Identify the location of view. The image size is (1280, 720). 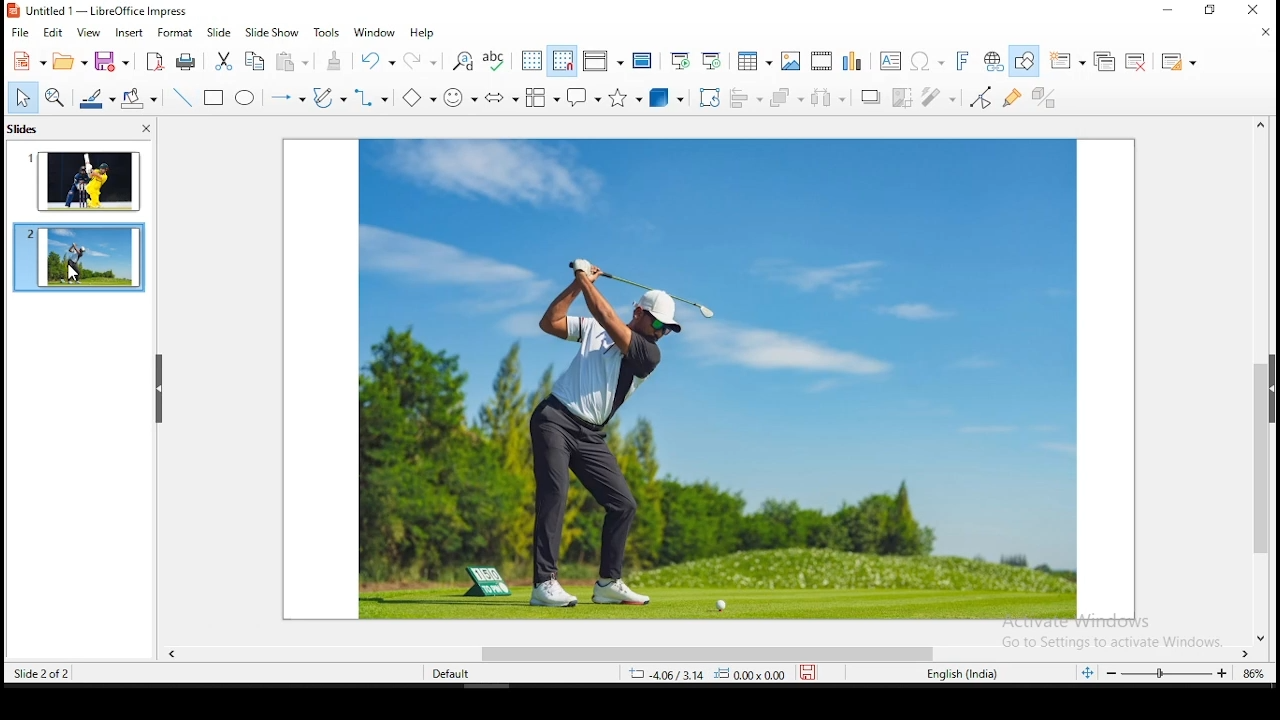
(88, 33).